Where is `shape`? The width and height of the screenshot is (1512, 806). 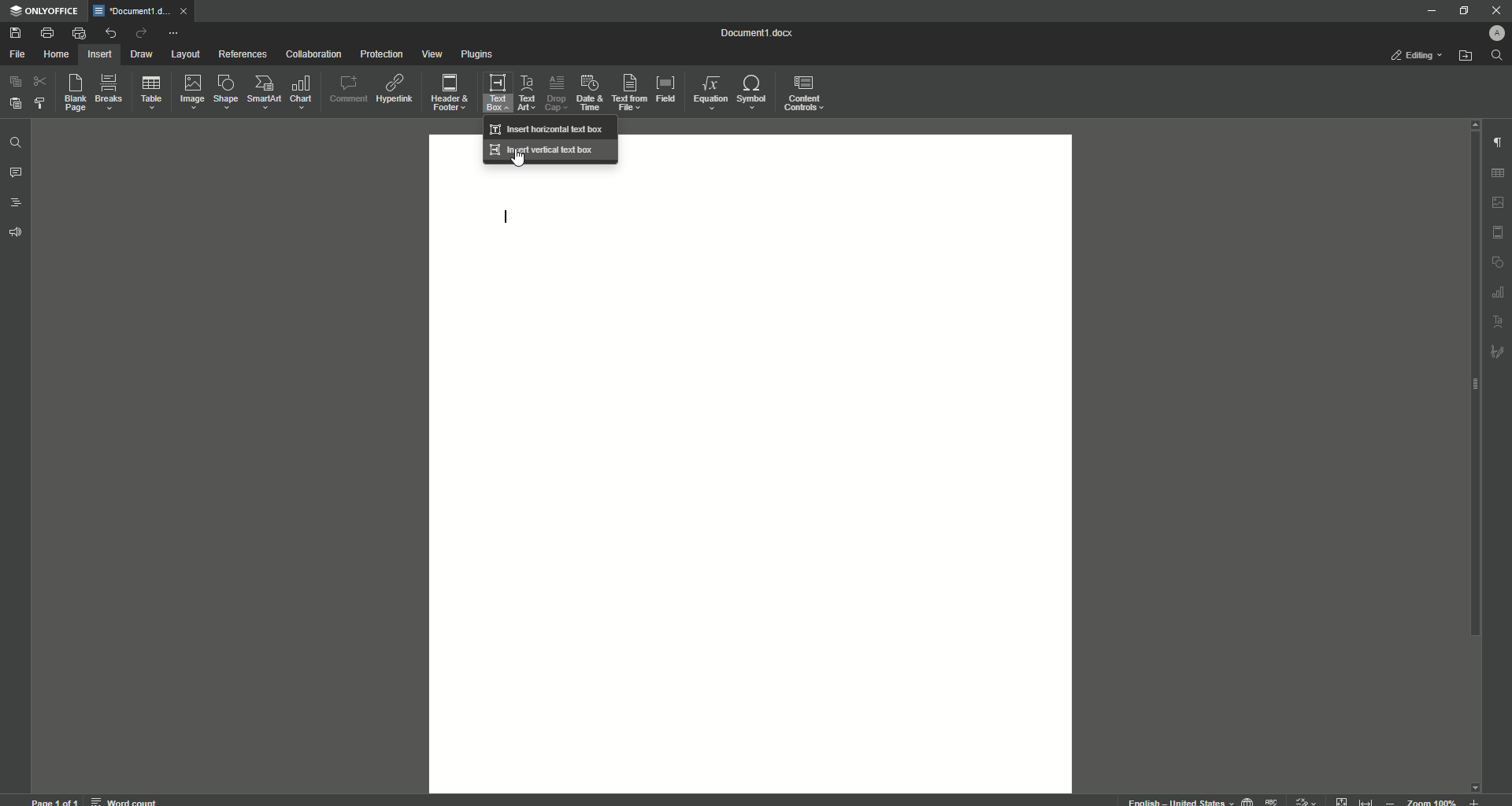
shape is located at coordinates (1498, 263).